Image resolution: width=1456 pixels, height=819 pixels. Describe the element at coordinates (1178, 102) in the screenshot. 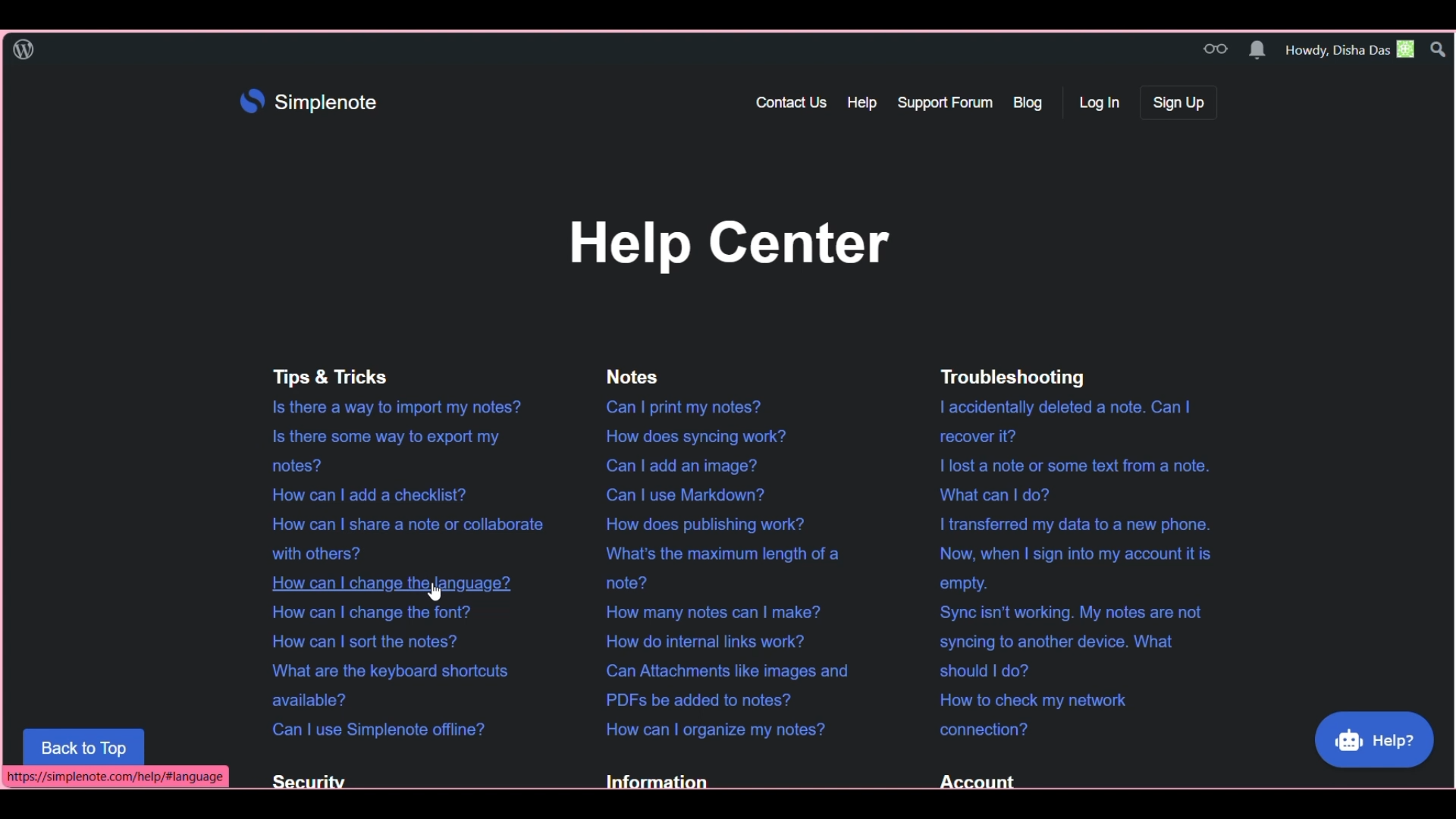

I see `Sign up` at that location.